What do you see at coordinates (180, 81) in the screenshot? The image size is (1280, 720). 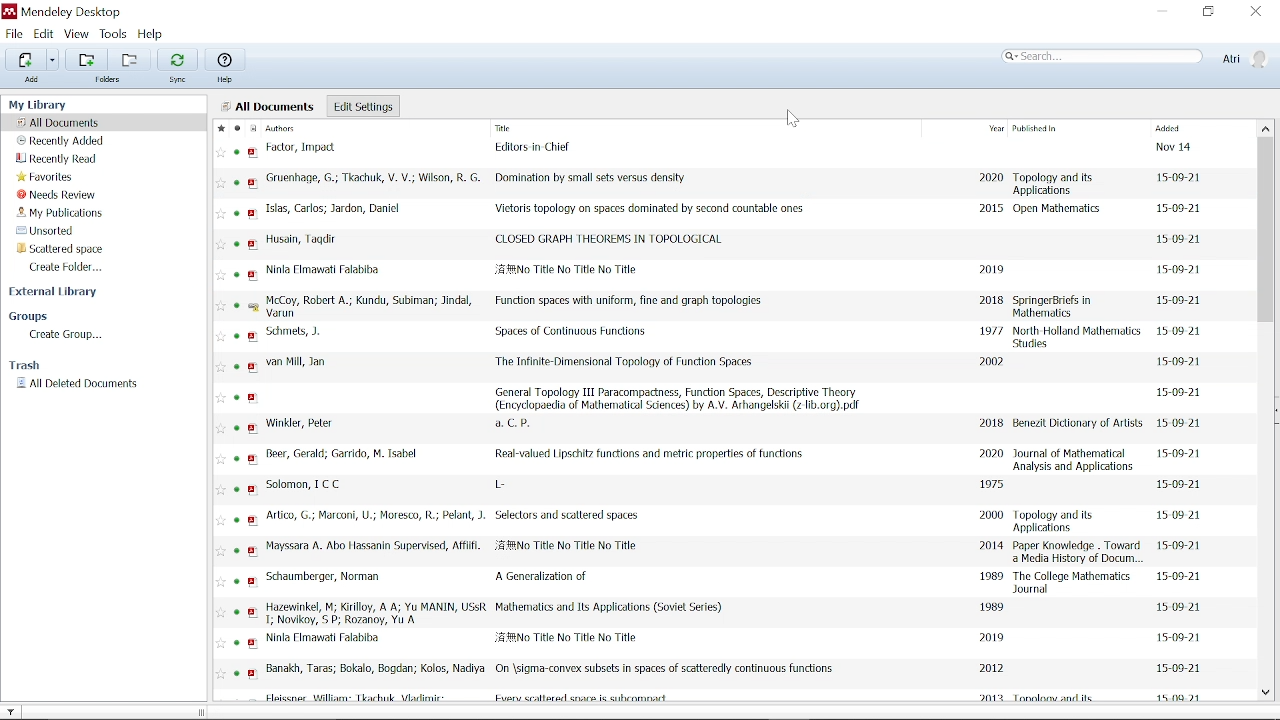 I see `sync` at bounding box center [180, 81].